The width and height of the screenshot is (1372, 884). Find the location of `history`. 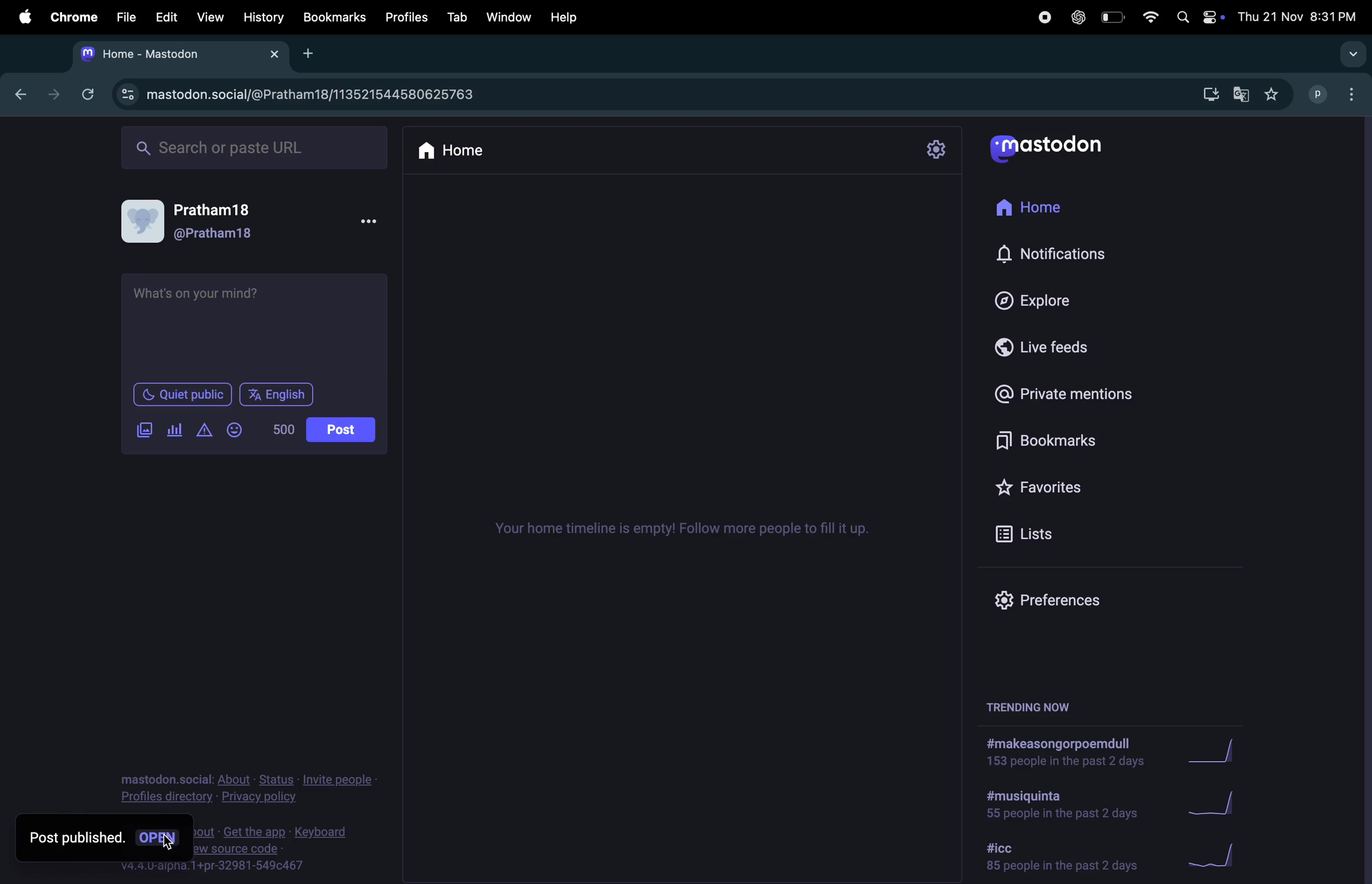

history is located at coordinates (261, 17).